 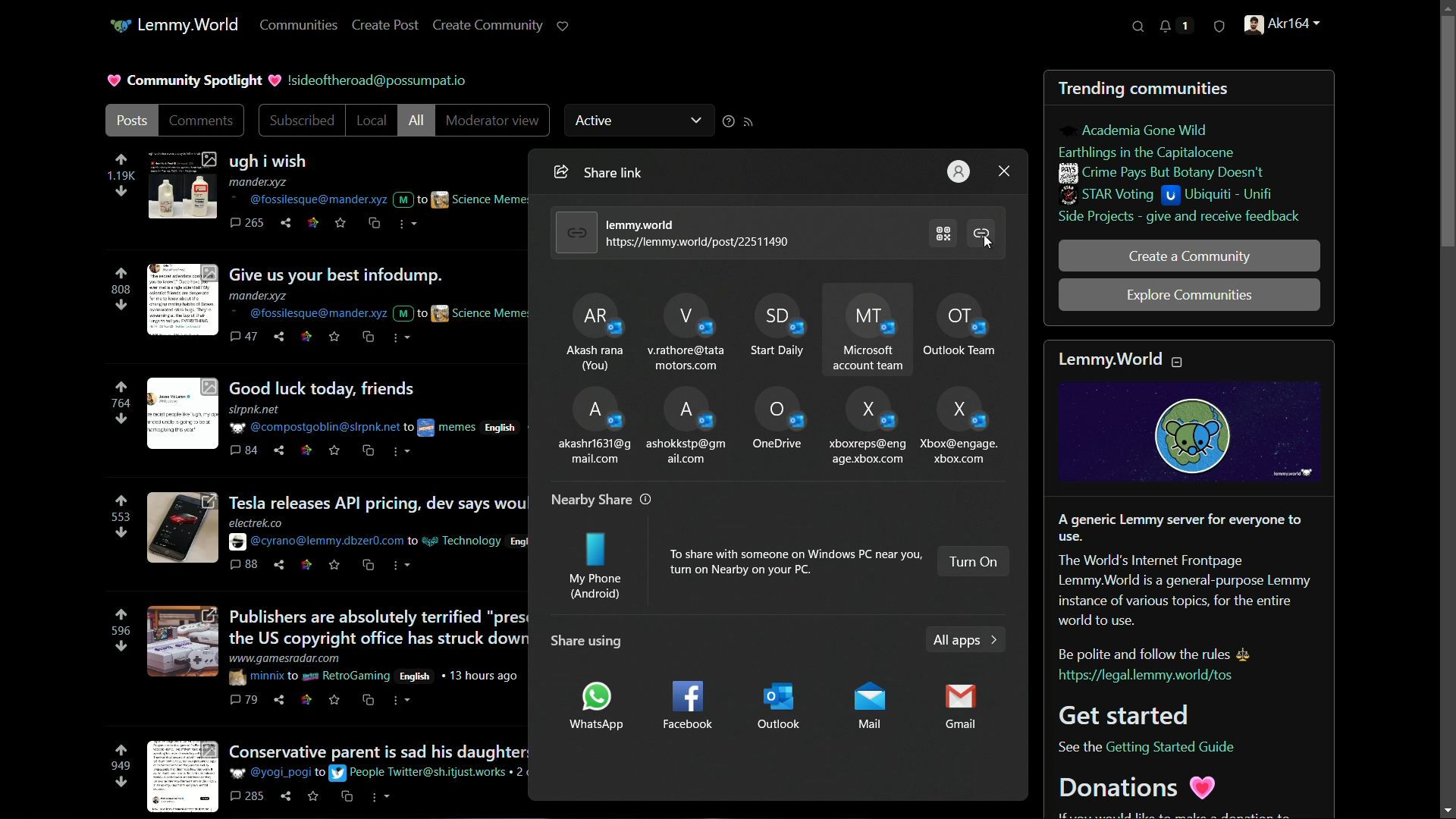 I want to click on cross psot, so click(x=370, y=450).